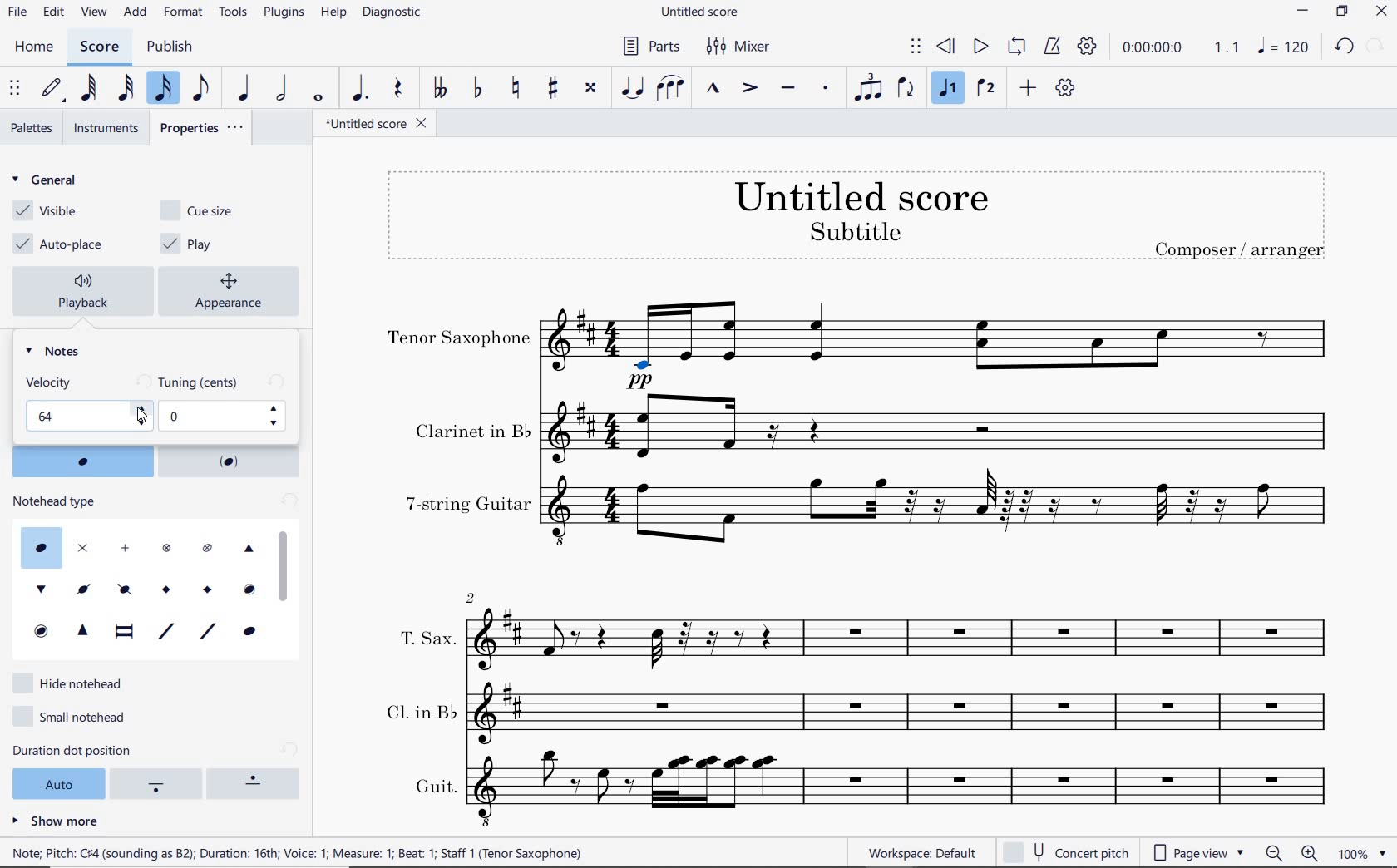 The image size is (1397, 868). Describe the element at coordinates (914, 712) in the screenshot. I see `cl. in B` at that location.